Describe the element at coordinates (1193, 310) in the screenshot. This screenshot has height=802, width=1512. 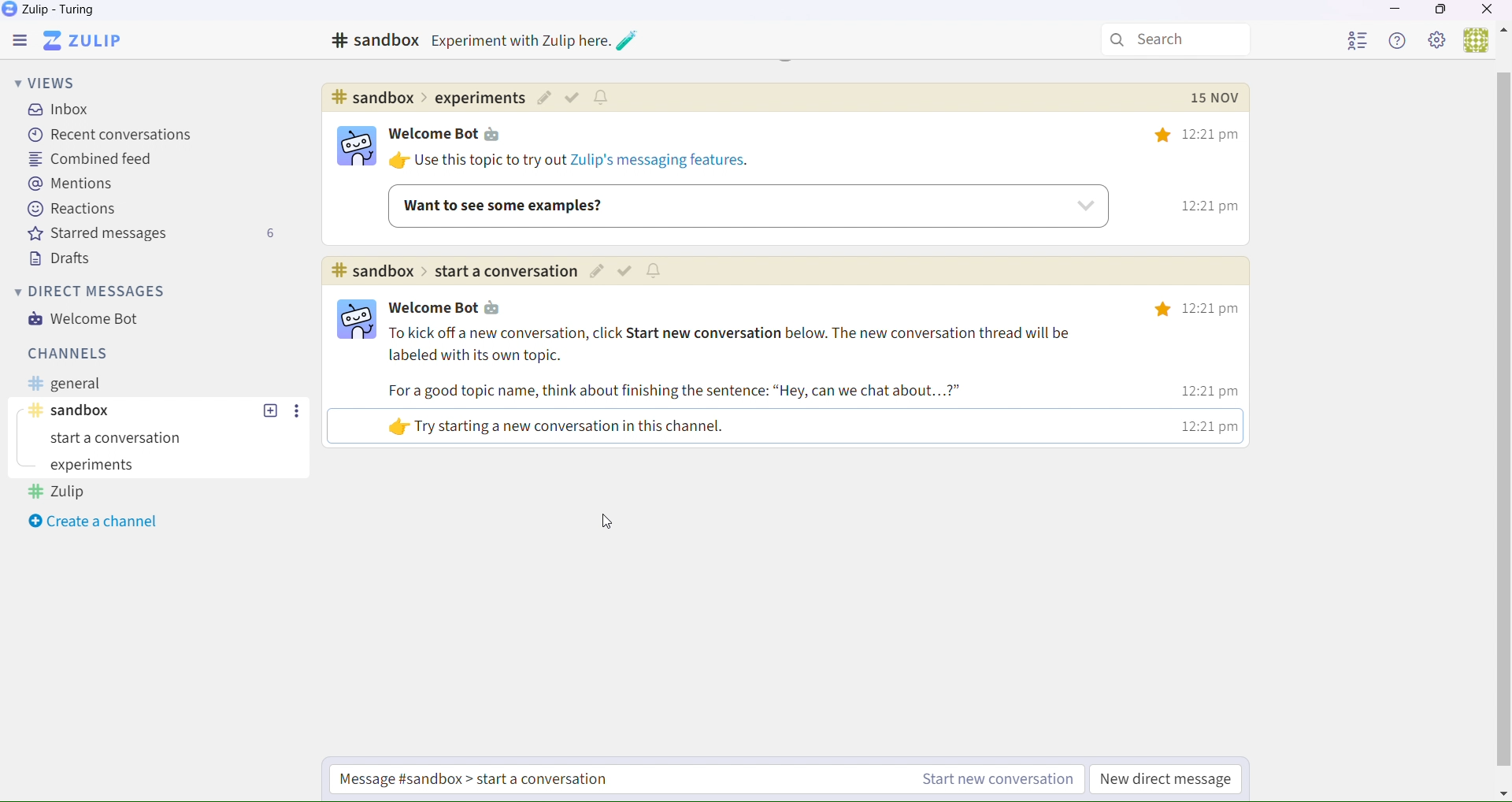
I see `12:21 pm` at that location.